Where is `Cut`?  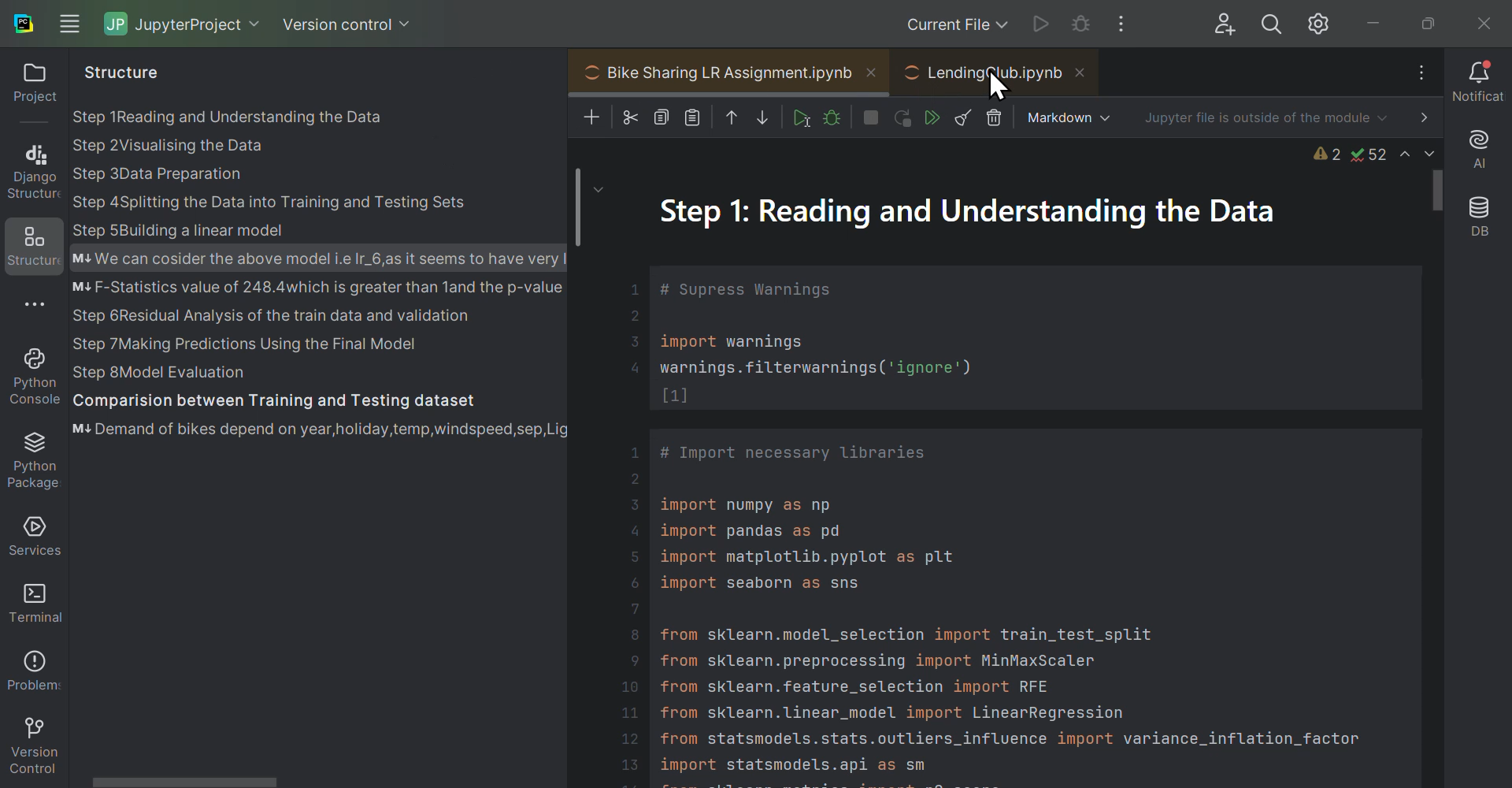
Cut is located at coordinates (630, 121).